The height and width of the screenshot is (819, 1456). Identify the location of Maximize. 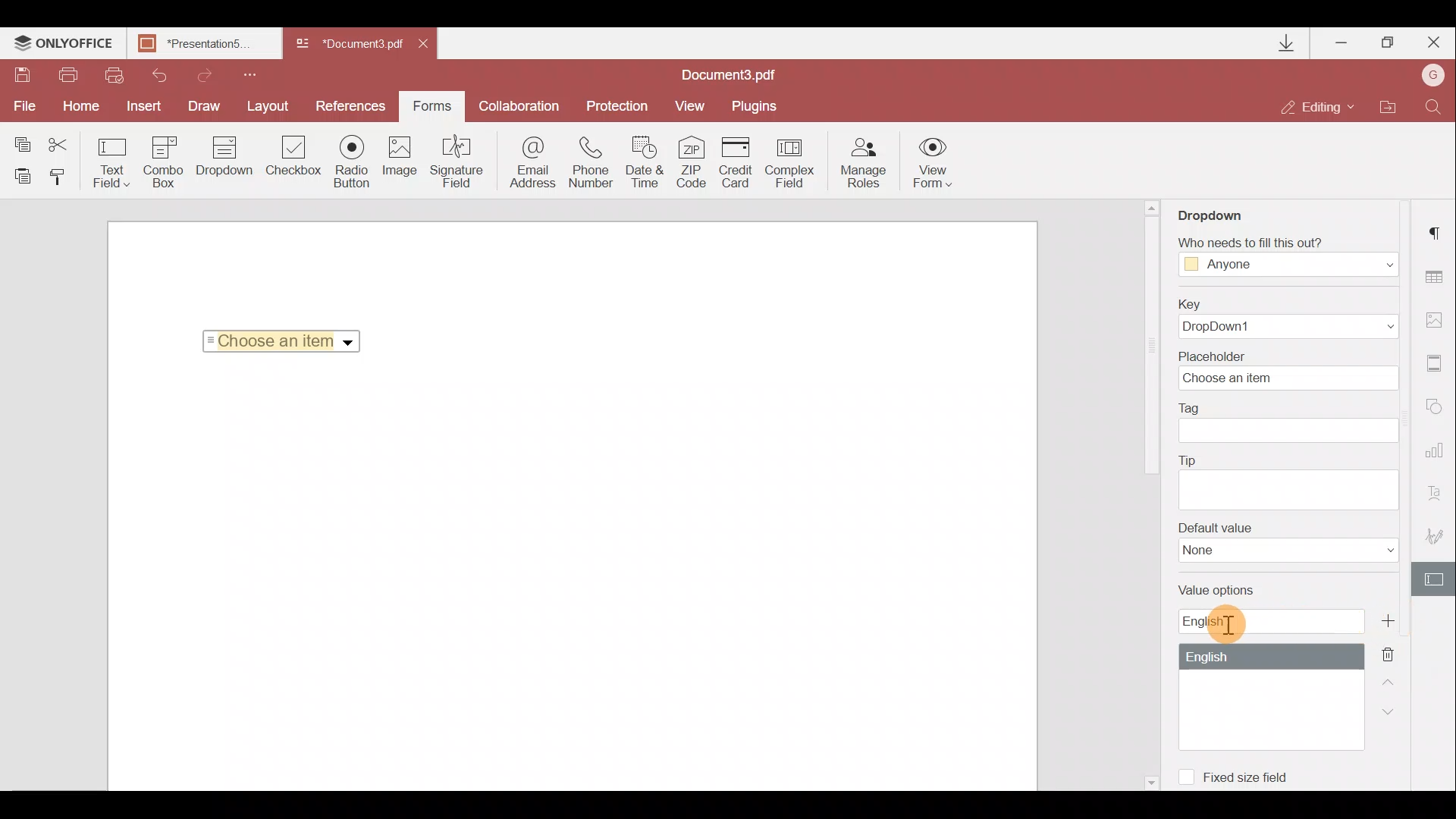
(1389, 42).